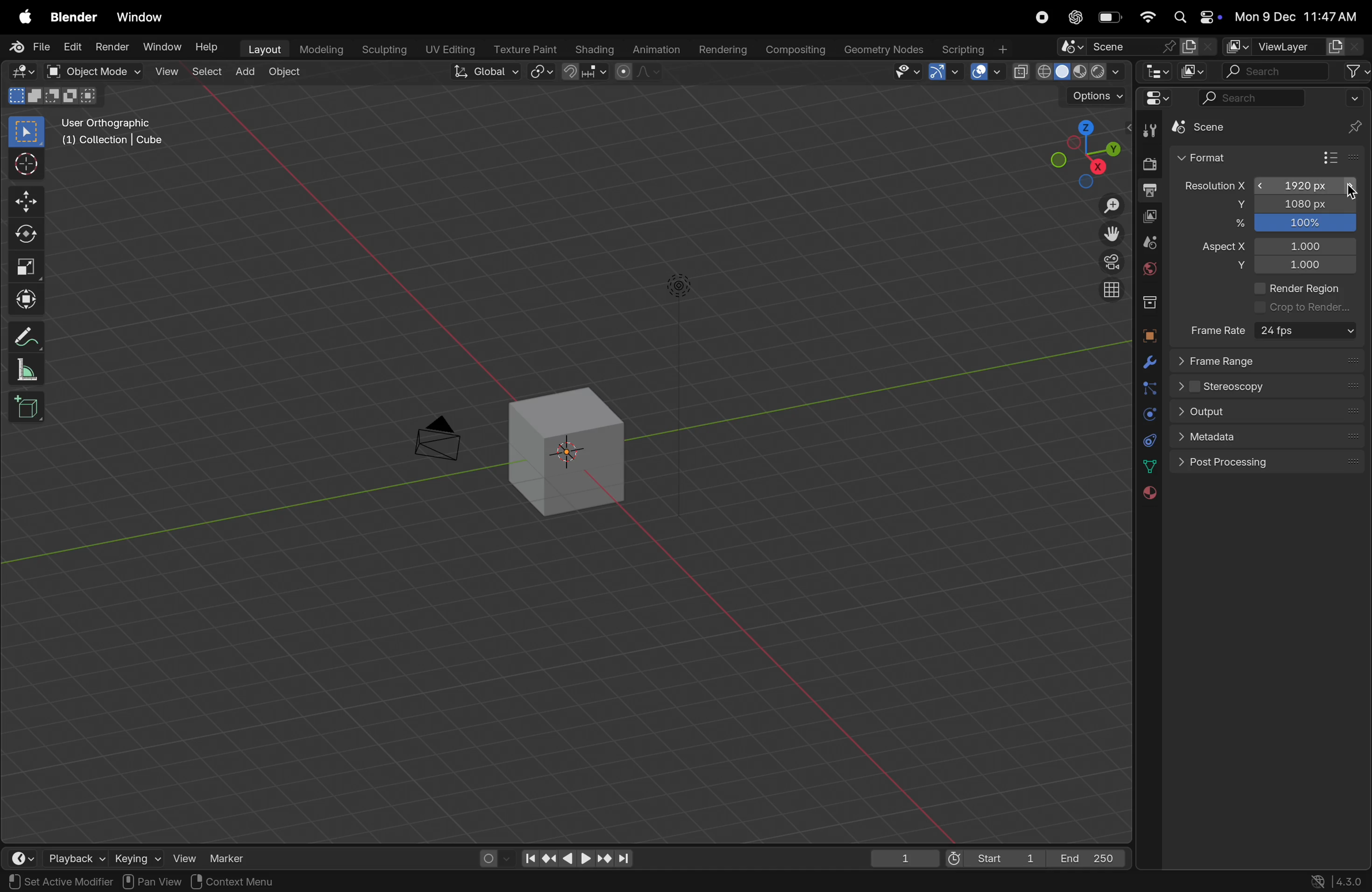 The height and width of the screenshot is (892, 1372). What do you see at coordinates (282, 74) in the screenshot?
I see `object` at bounding box center [282, 74].